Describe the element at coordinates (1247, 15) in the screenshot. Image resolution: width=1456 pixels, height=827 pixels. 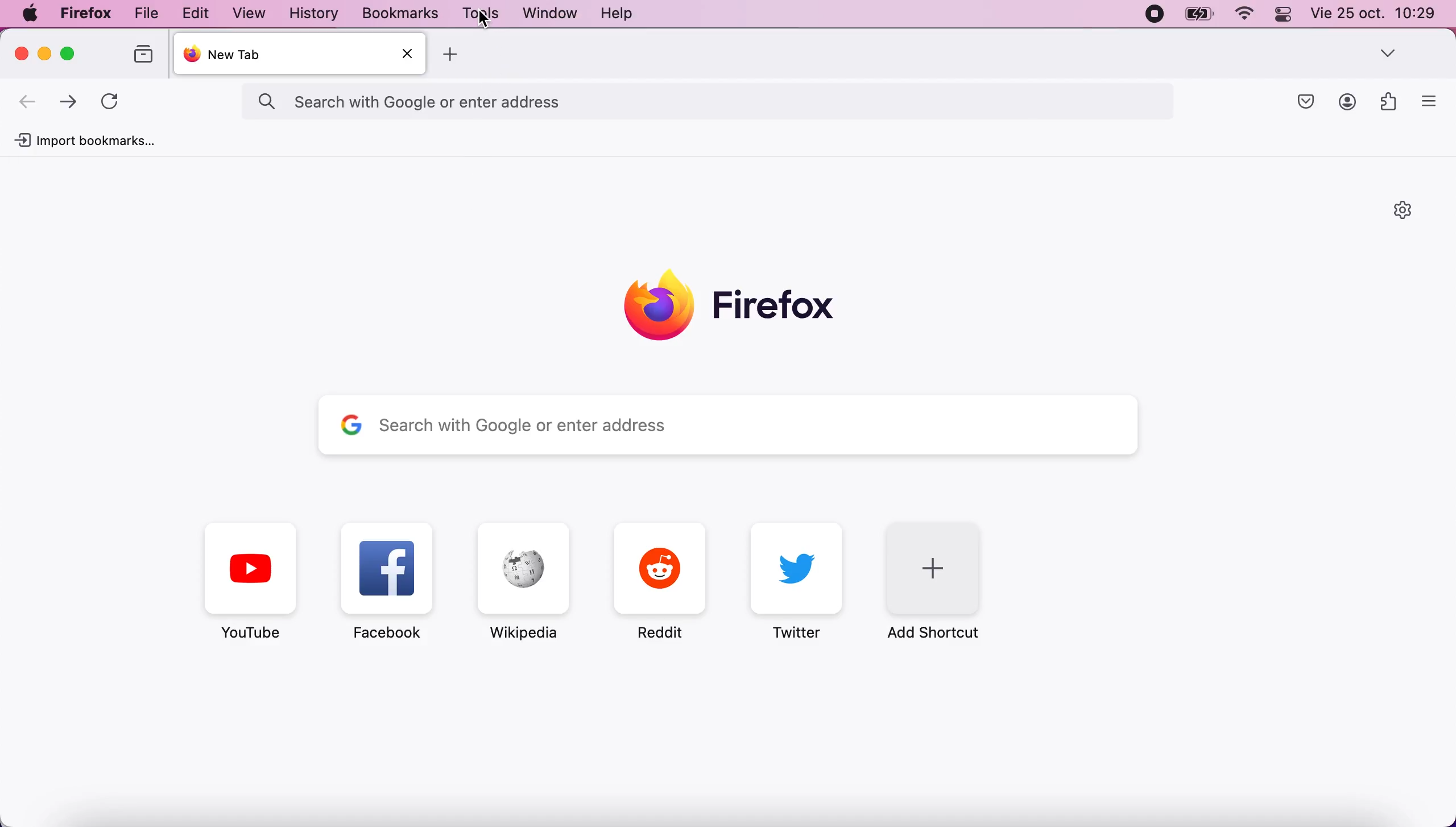
I see `Wifi` at that location.